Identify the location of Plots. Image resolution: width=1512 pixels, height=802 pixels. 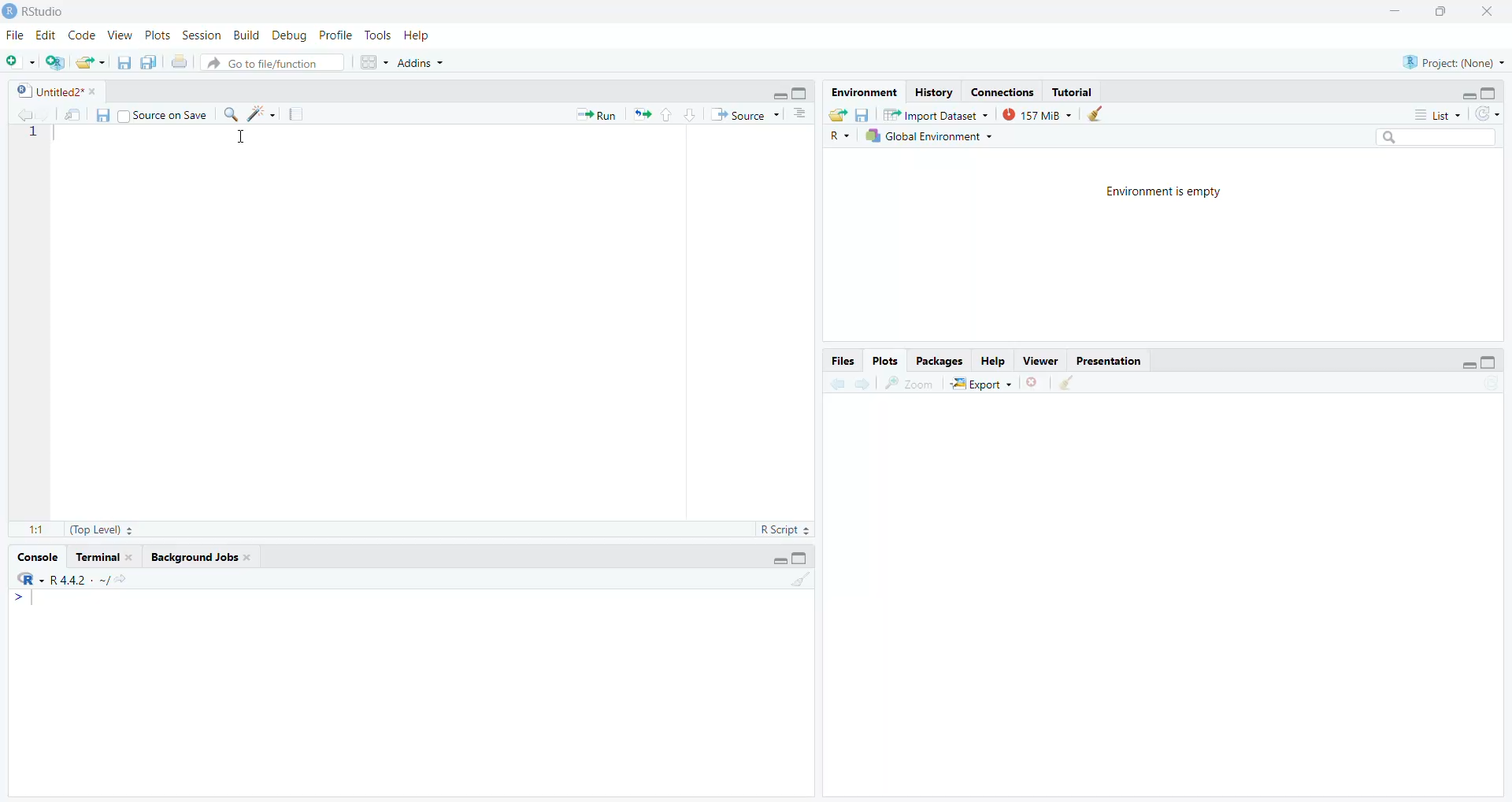
(157, 35).